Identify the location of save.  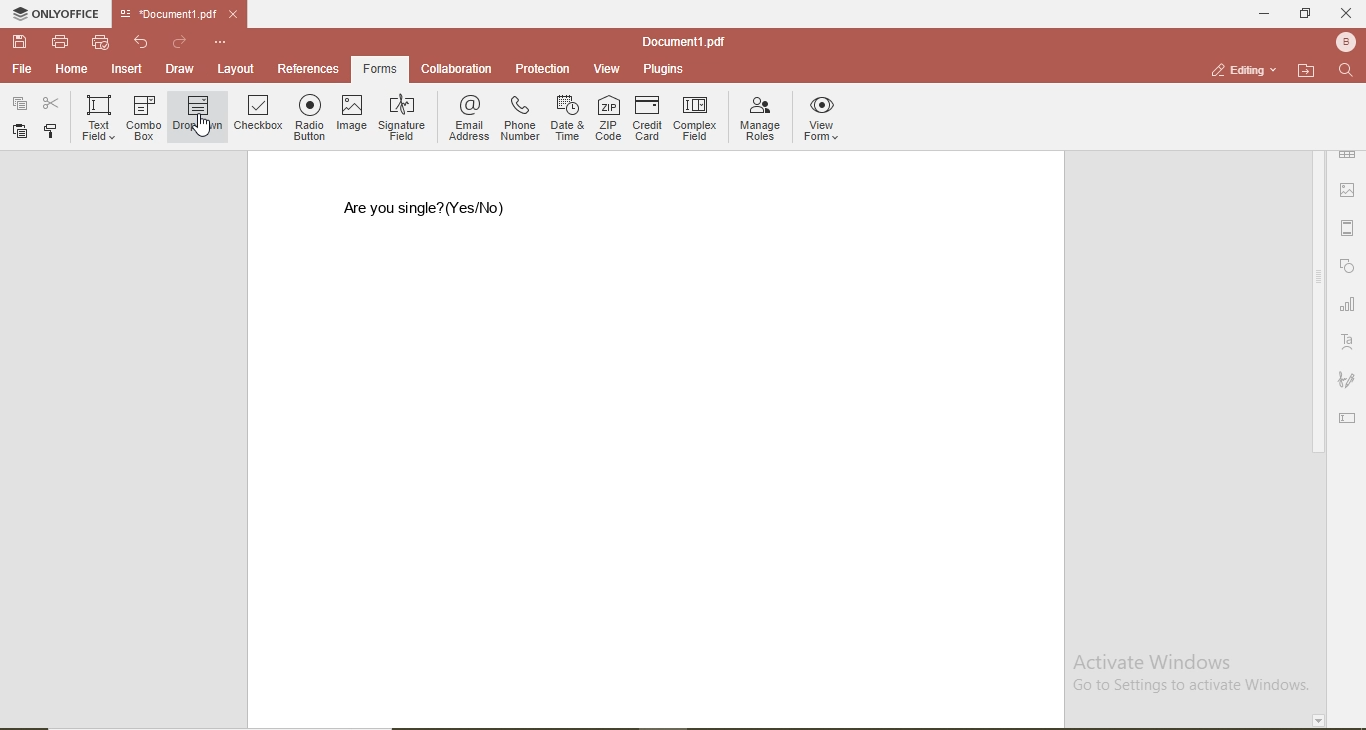
(20, 42).